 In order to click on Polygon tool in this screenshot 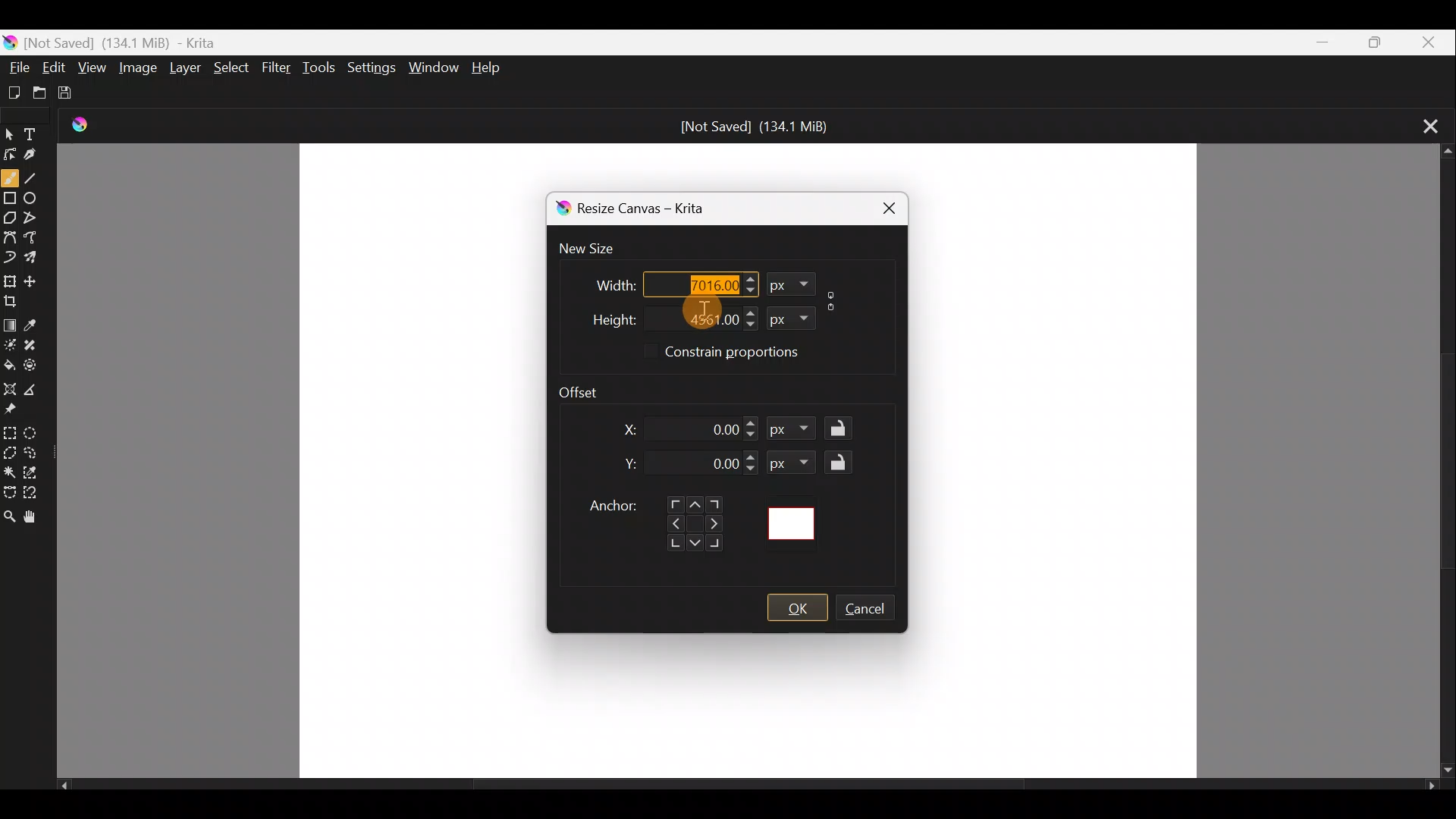, I will do `click(11, 219)`.